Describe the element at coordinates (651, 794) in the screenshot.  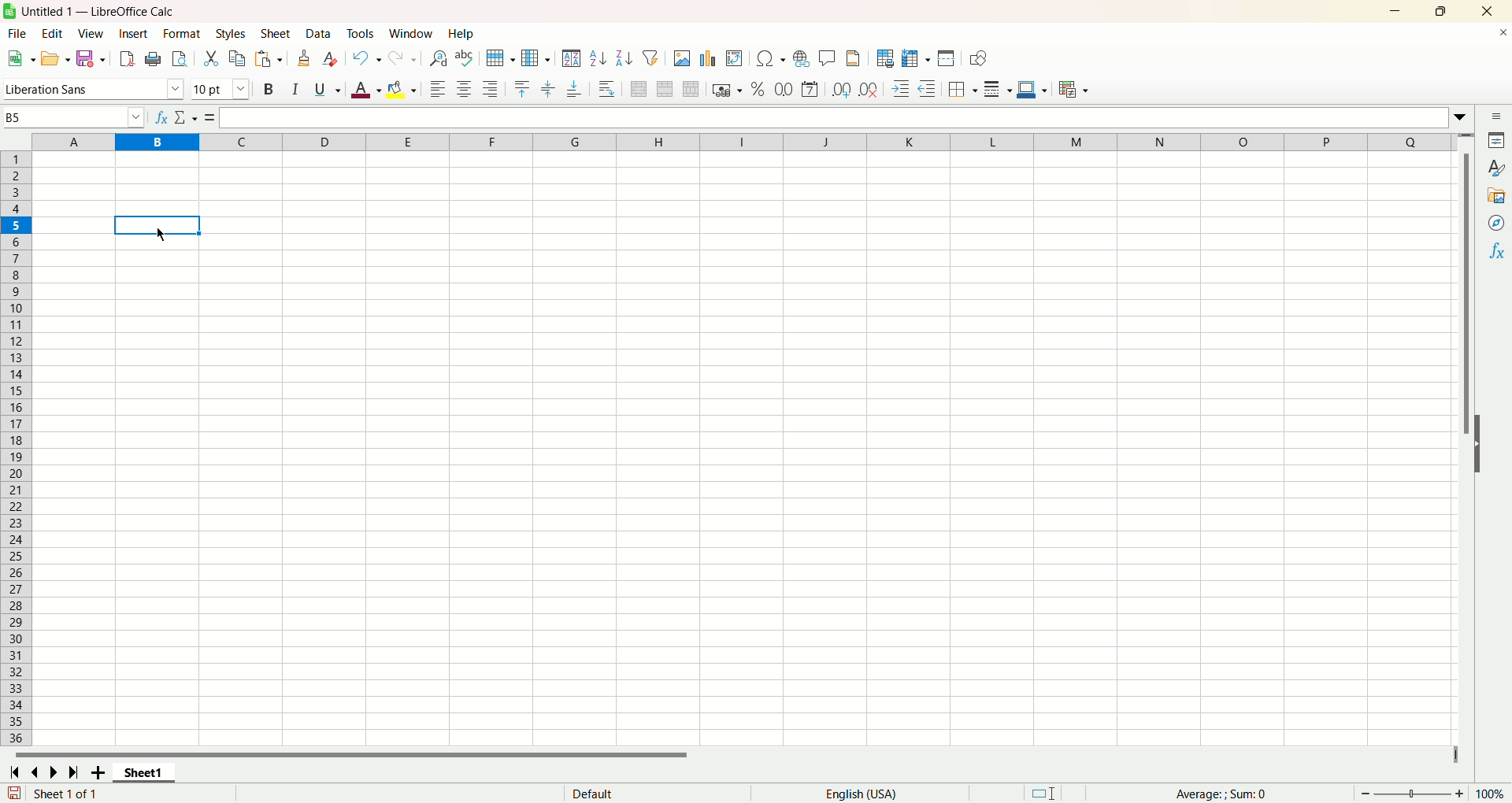
I see `default` at that location.